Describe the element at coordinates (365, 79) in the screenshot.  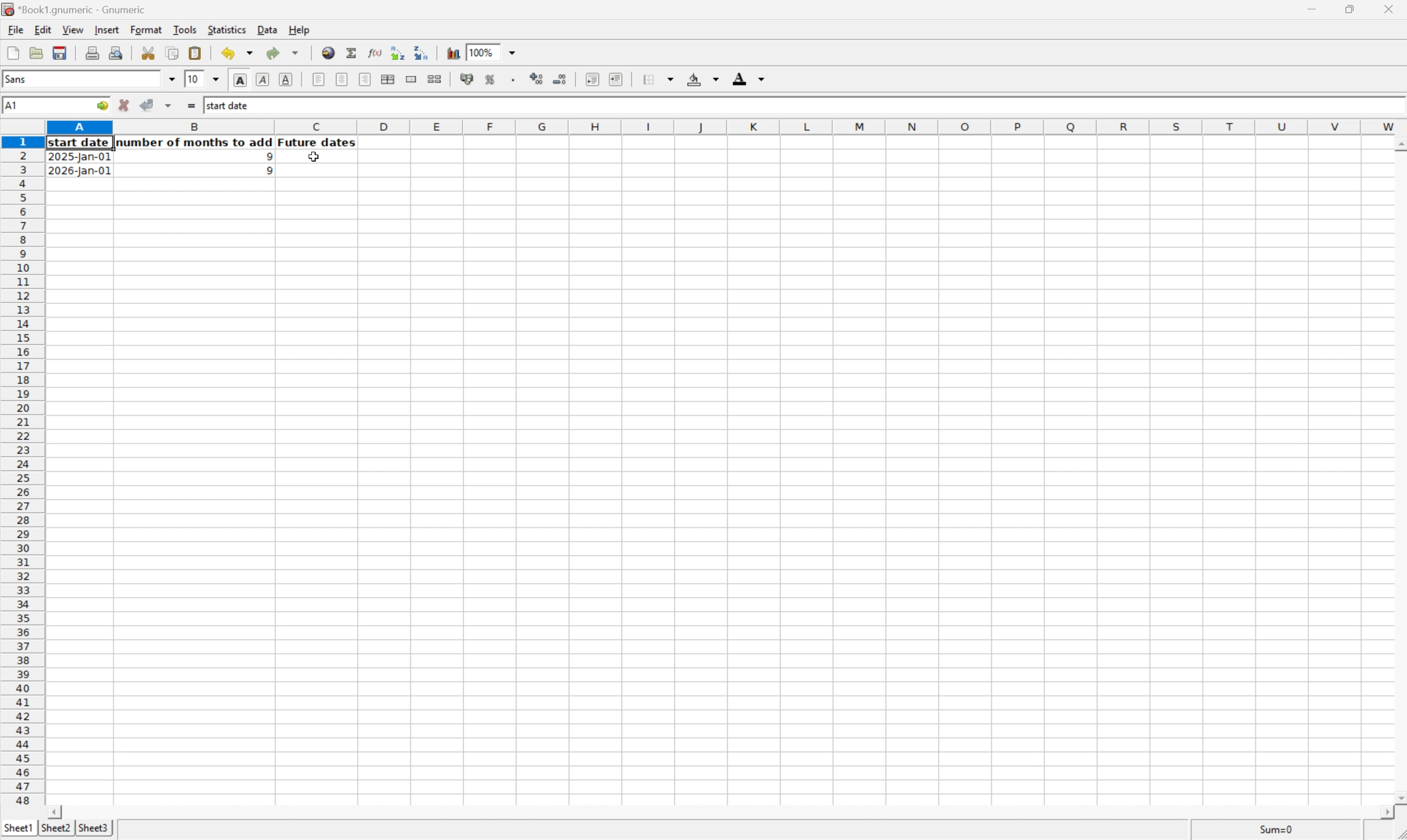
I see `Align Right` at that location.